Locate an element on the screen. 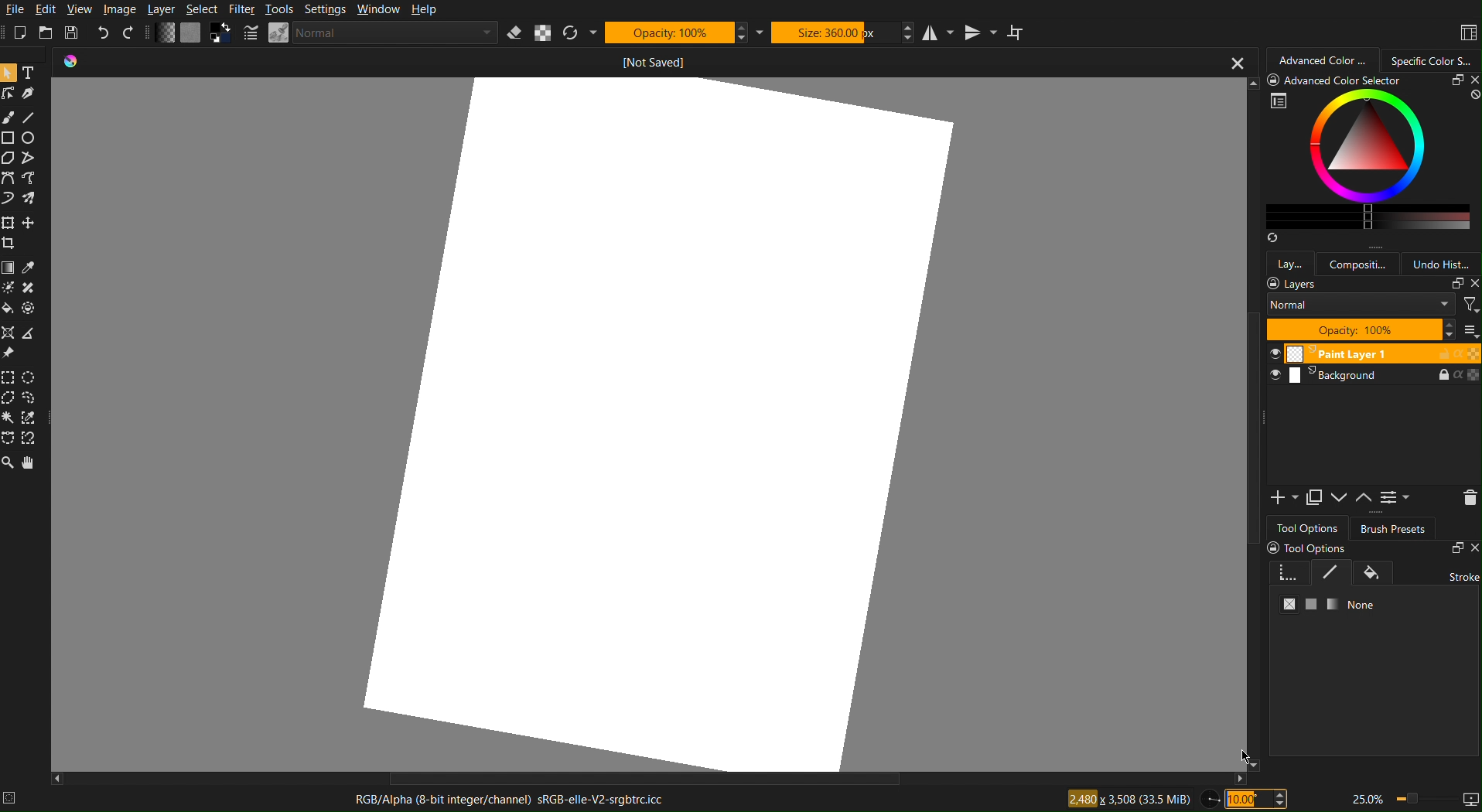 The height and width of the screenshot is (812, 1482). layers is located at coordinates (1293, 285).